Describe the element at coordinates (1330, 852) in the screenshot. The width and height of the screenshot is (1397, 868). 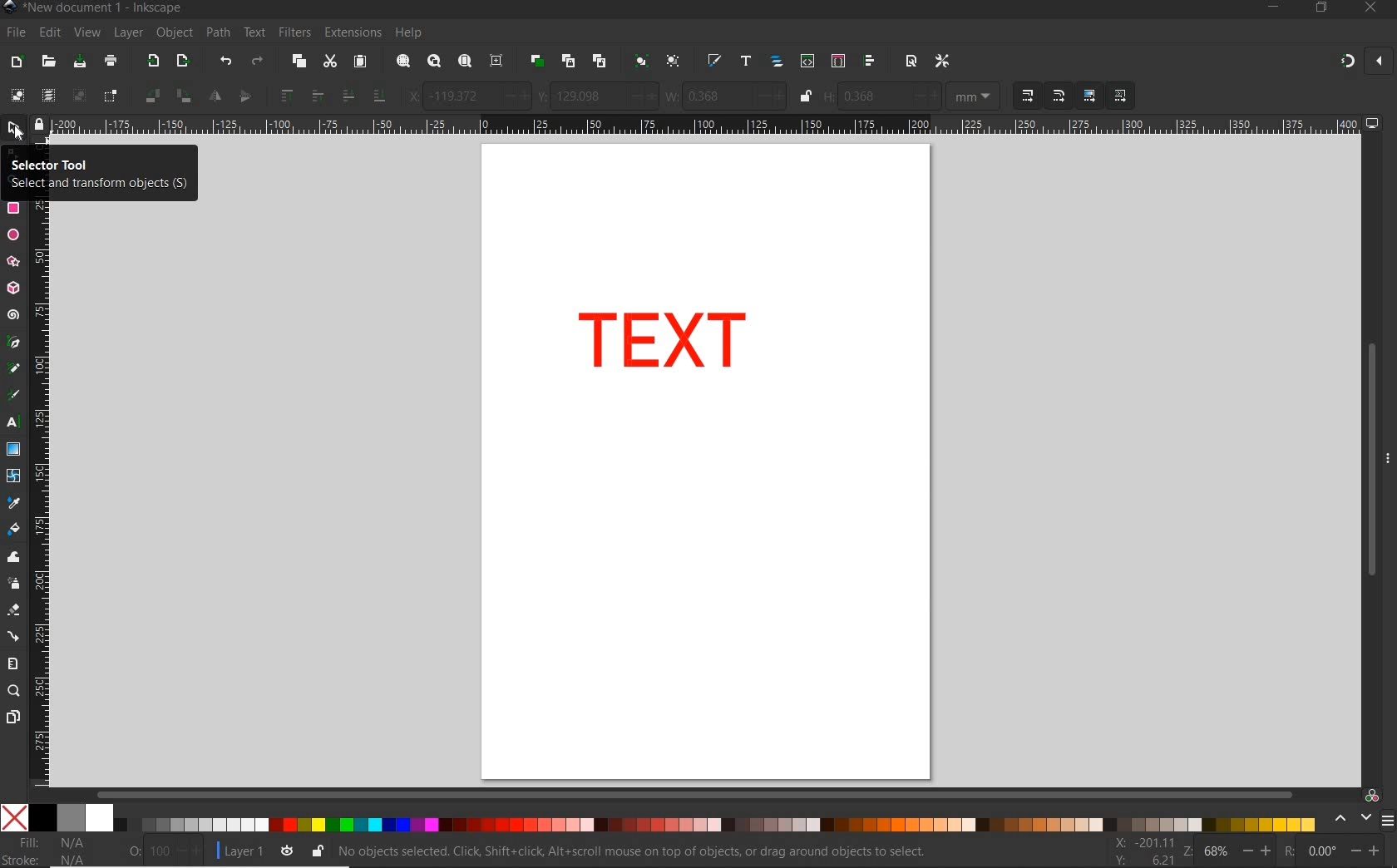
I see `ROTATION` at that location.